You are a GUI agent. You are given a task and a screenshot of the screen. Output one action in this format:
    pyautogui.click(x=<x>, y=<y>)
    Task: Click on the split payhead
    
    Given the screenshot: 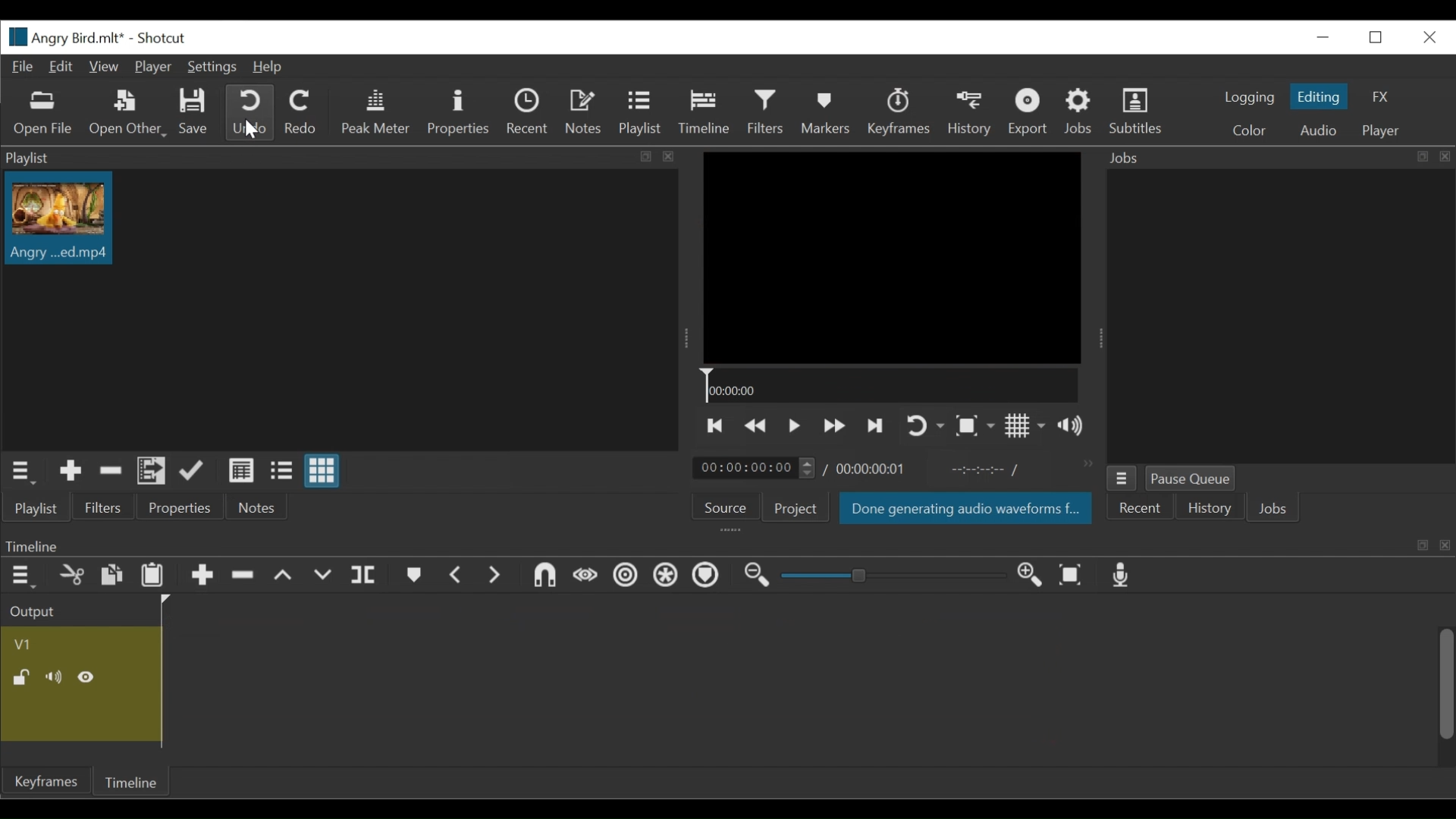 What is the action you would take?
    pyautogui.click(x=363, y=575)
    